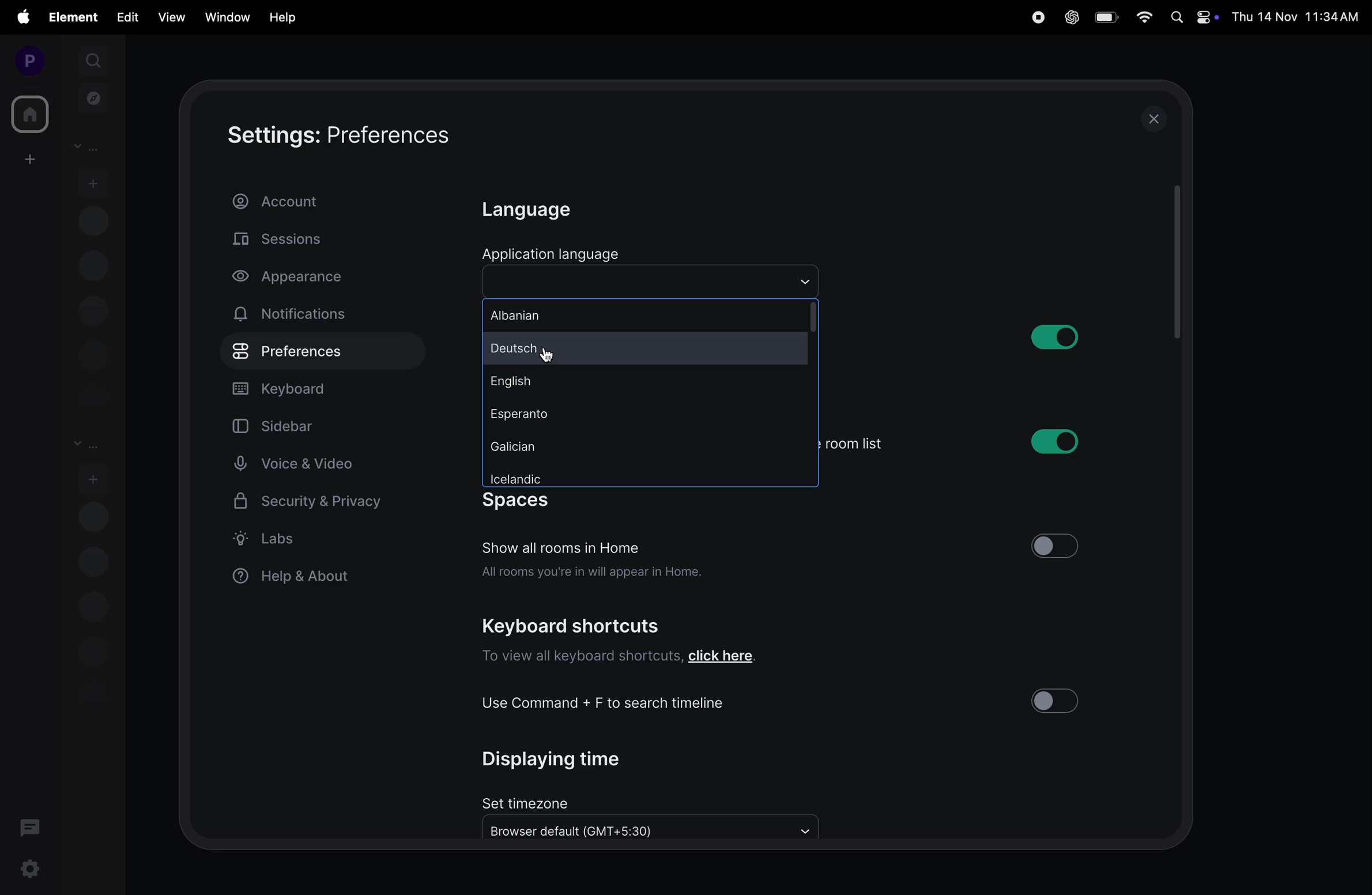  I want to click on people, so click(86, 148).